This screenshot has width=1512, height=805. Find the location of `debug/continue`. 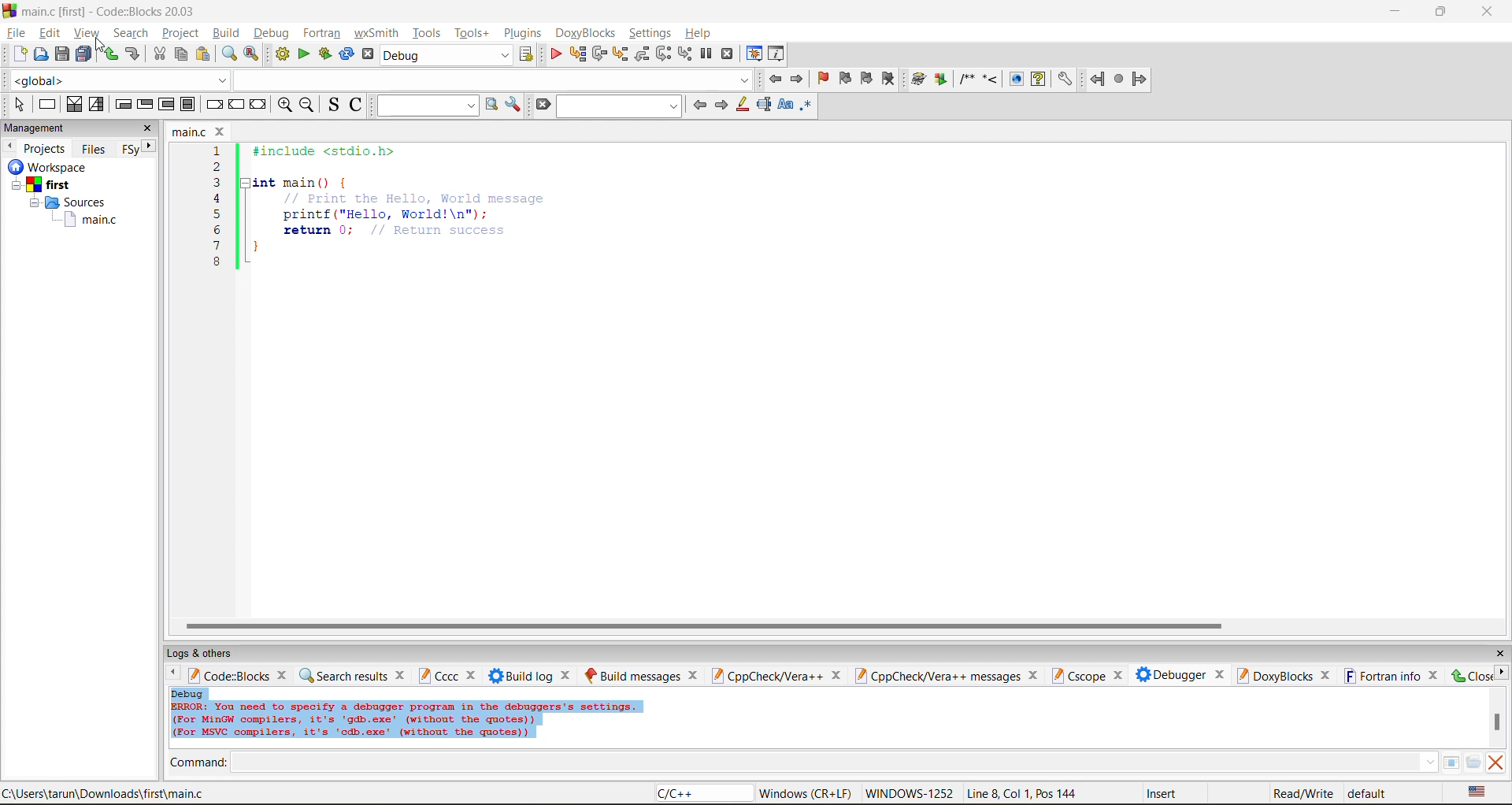

debug/continue is located at coordinates (558, 54).